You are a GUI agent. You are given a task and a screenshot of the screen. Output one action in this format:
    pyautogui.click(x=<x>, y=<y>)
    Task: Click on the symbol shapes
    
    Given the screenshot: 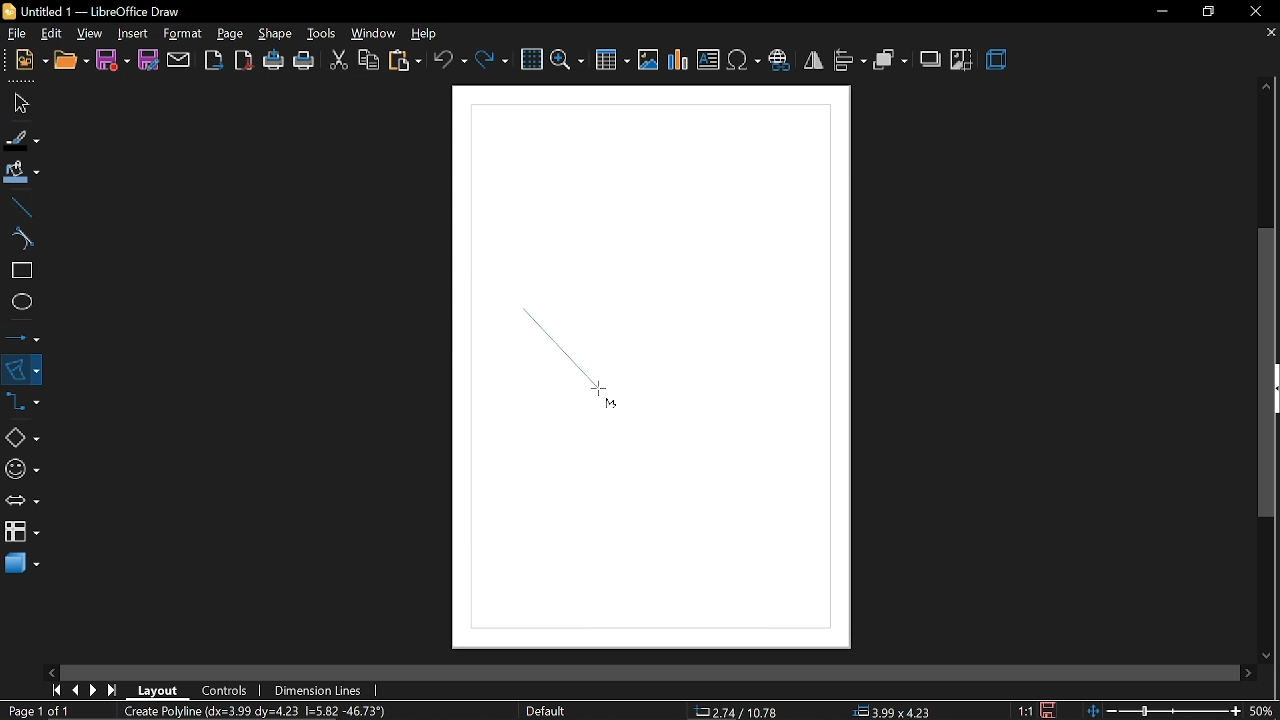 What is the action you would take?
    pyautogui.click(x=21, y=469)
    